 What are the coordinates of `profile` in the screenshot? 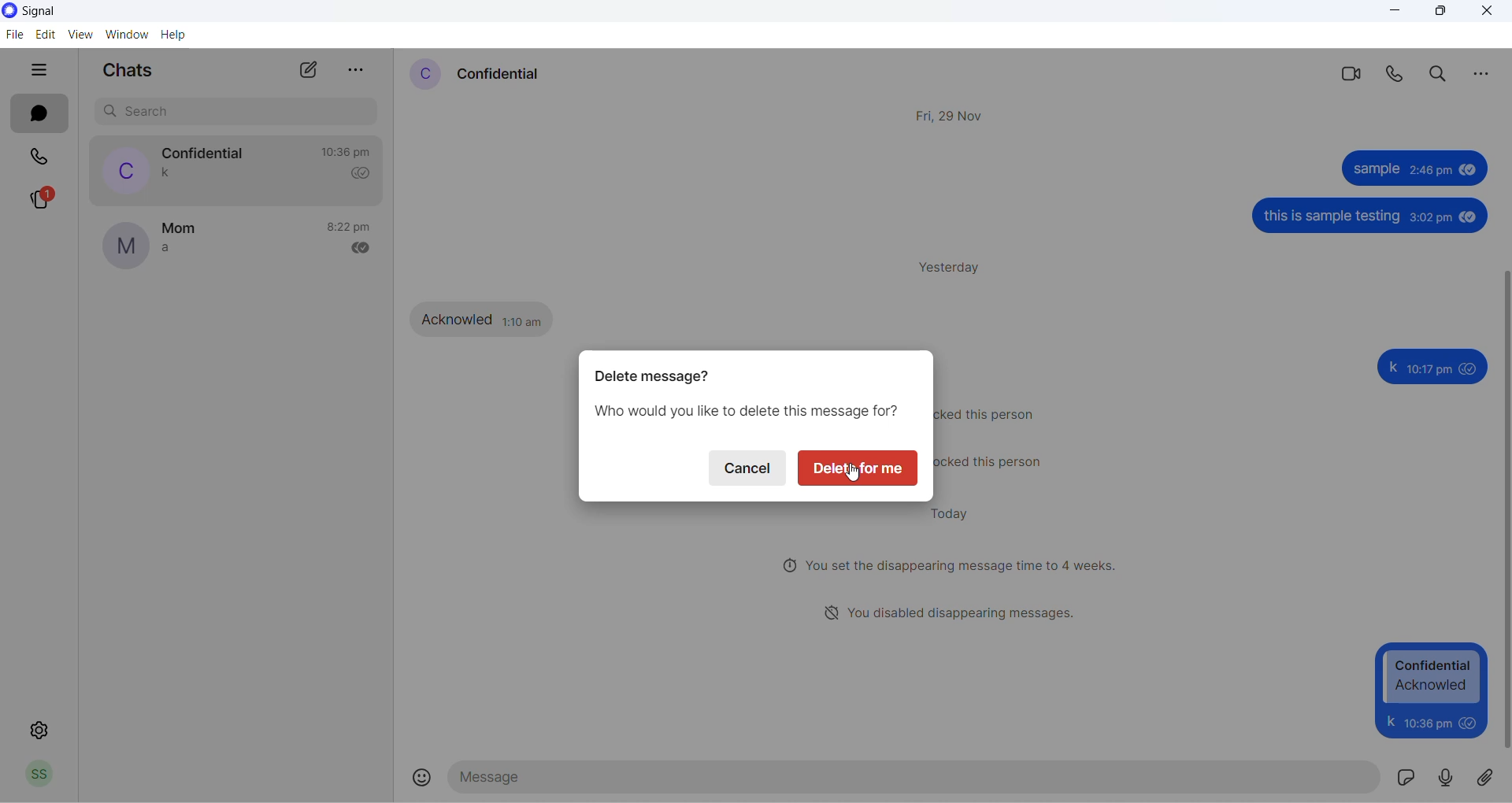 It's located at (50, 775).